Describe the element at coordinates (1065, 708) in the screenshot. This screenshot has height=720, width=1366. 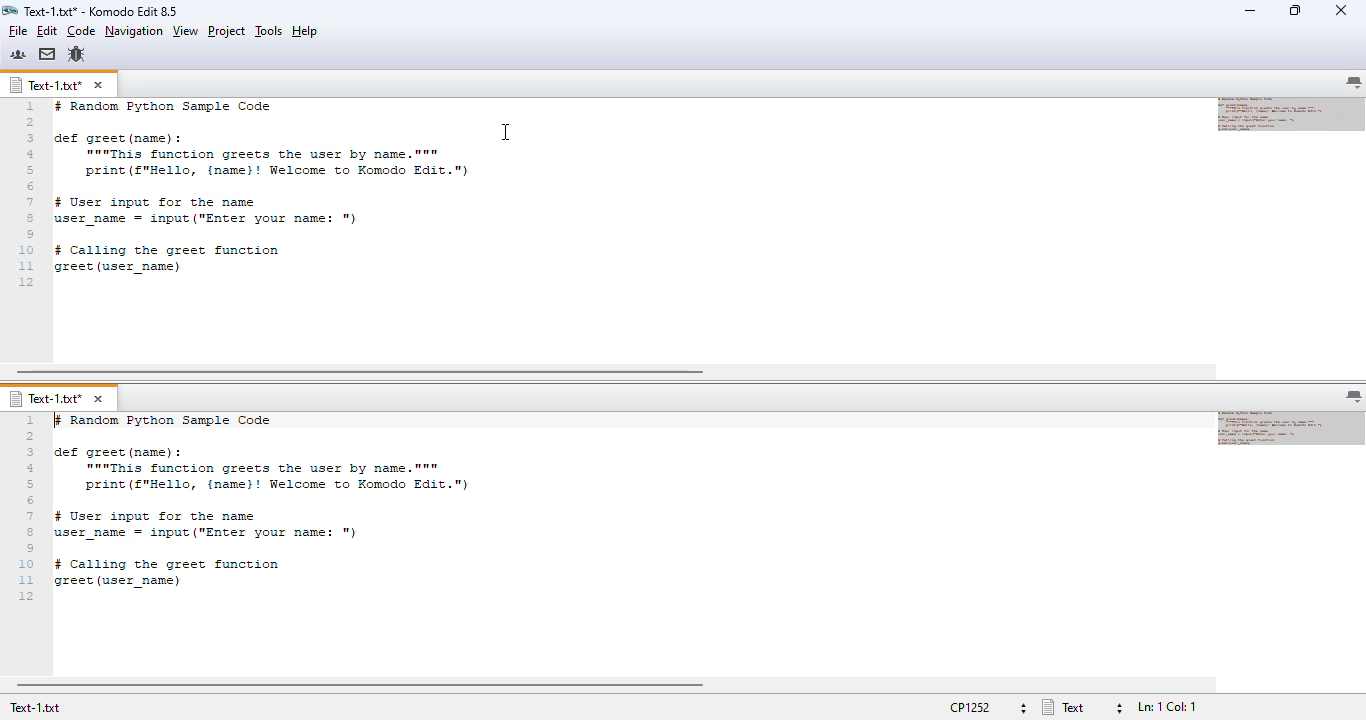
I see `text` at that location.